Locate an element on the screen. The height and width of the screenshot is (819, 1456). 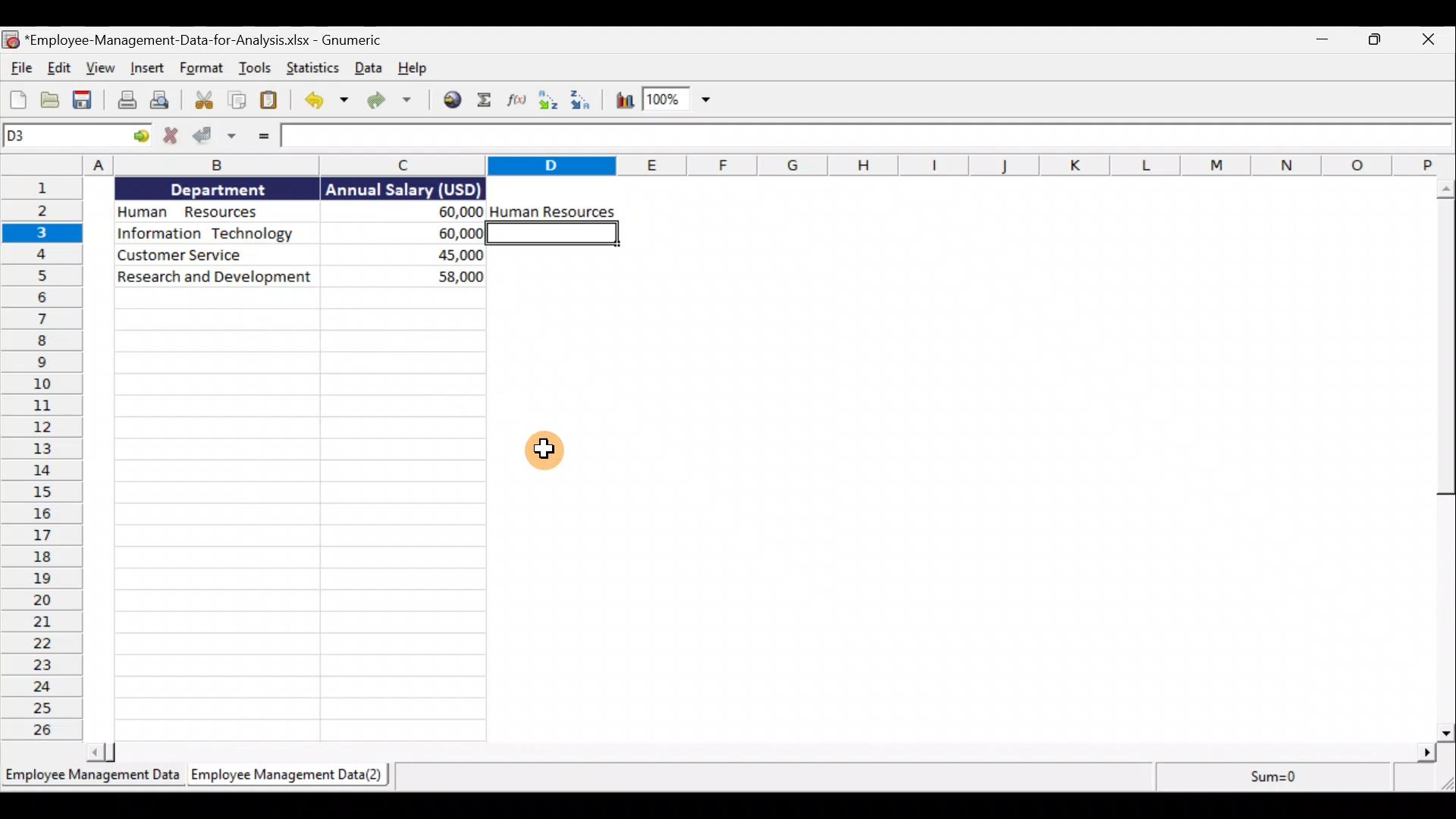
Create a new workbook is located at coordinates (17, 100).